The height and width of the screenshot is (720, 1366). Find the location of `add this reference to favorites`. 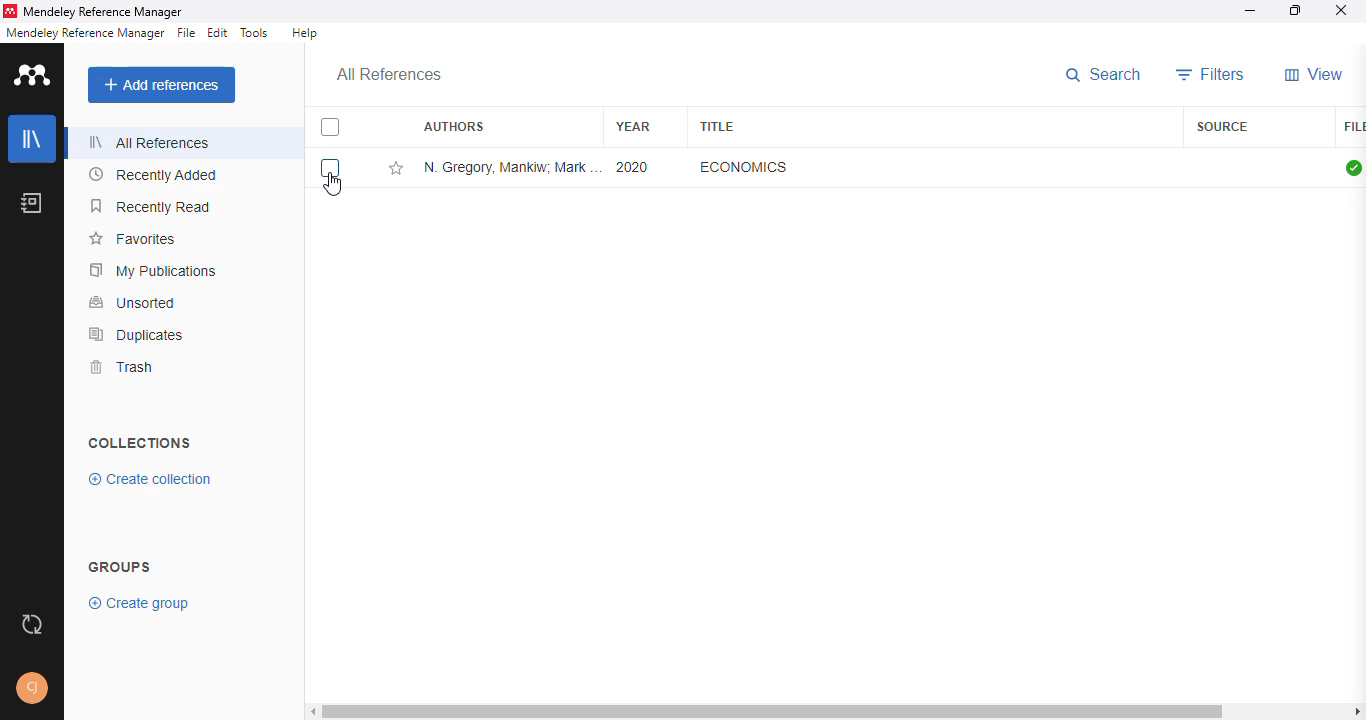

add this reference to favorites is located at coordinates (396, 169).